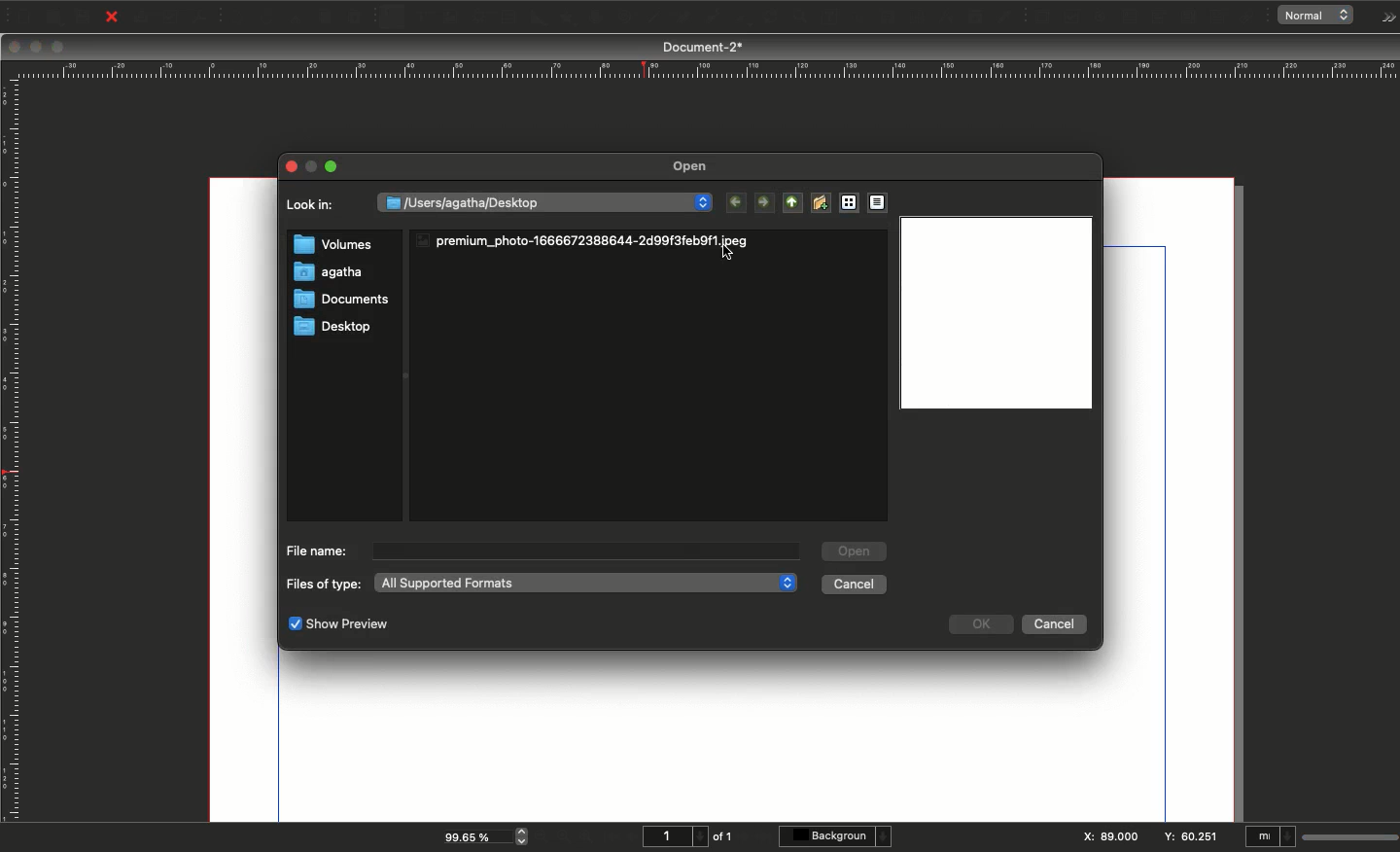  I want to click on PDF text field, so click(1129, 18).